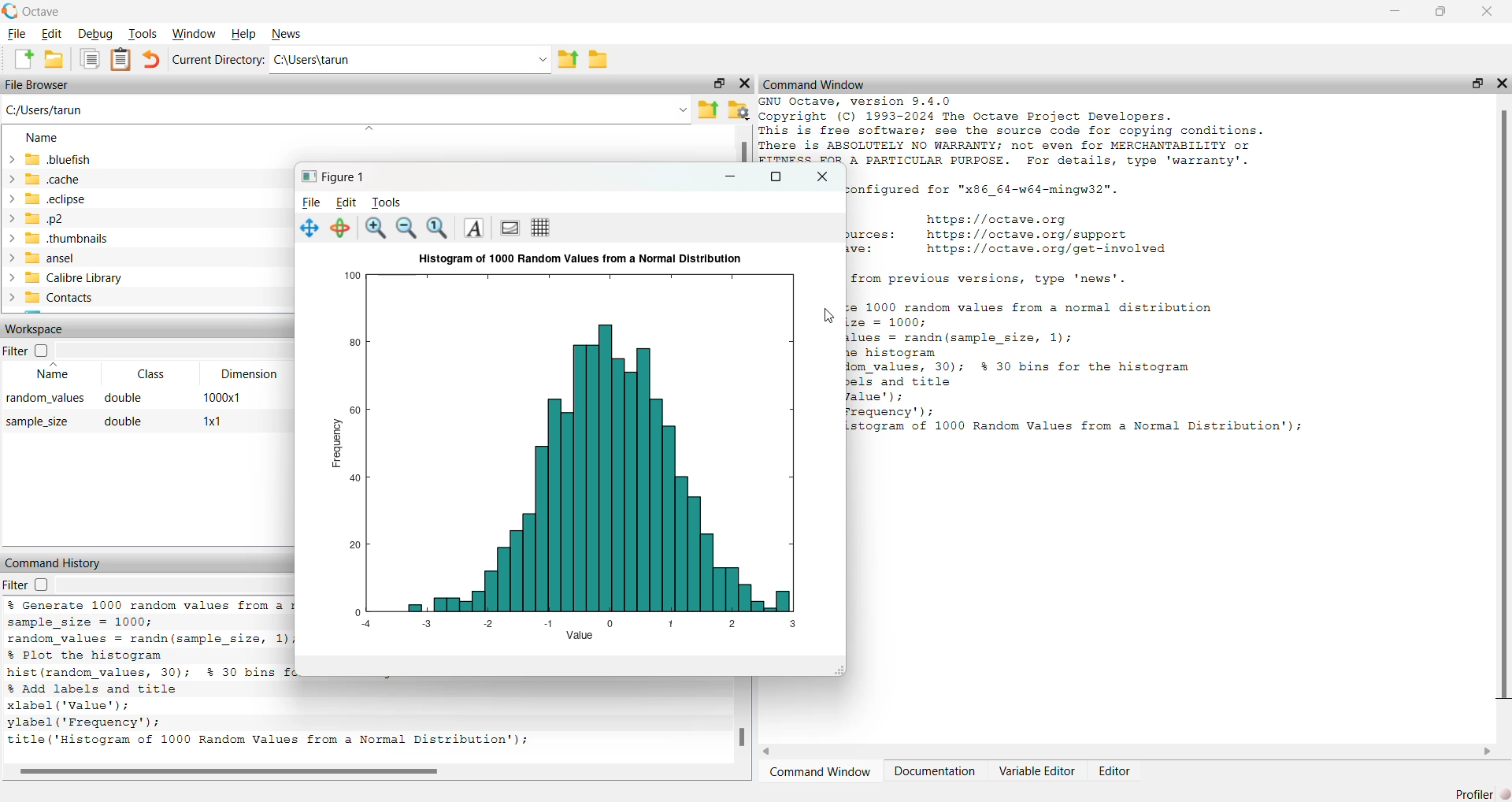 The image size is (1512, 802). Describe the element at coordinates (45, 111) in the screenshot. I see `C:/Users/tarun` at that location.